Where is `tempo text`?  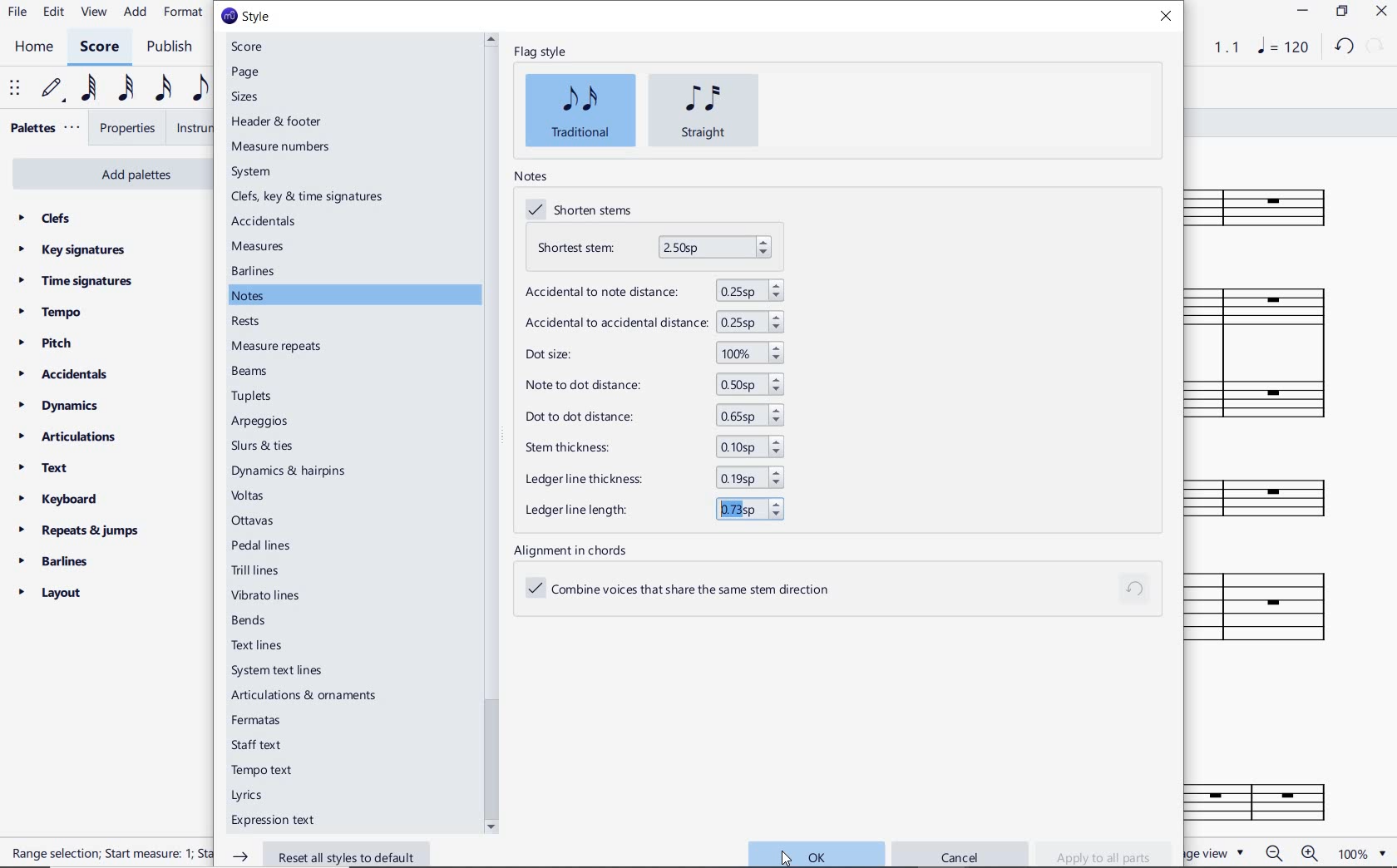 tempo text is located at coordinates (270, 770).